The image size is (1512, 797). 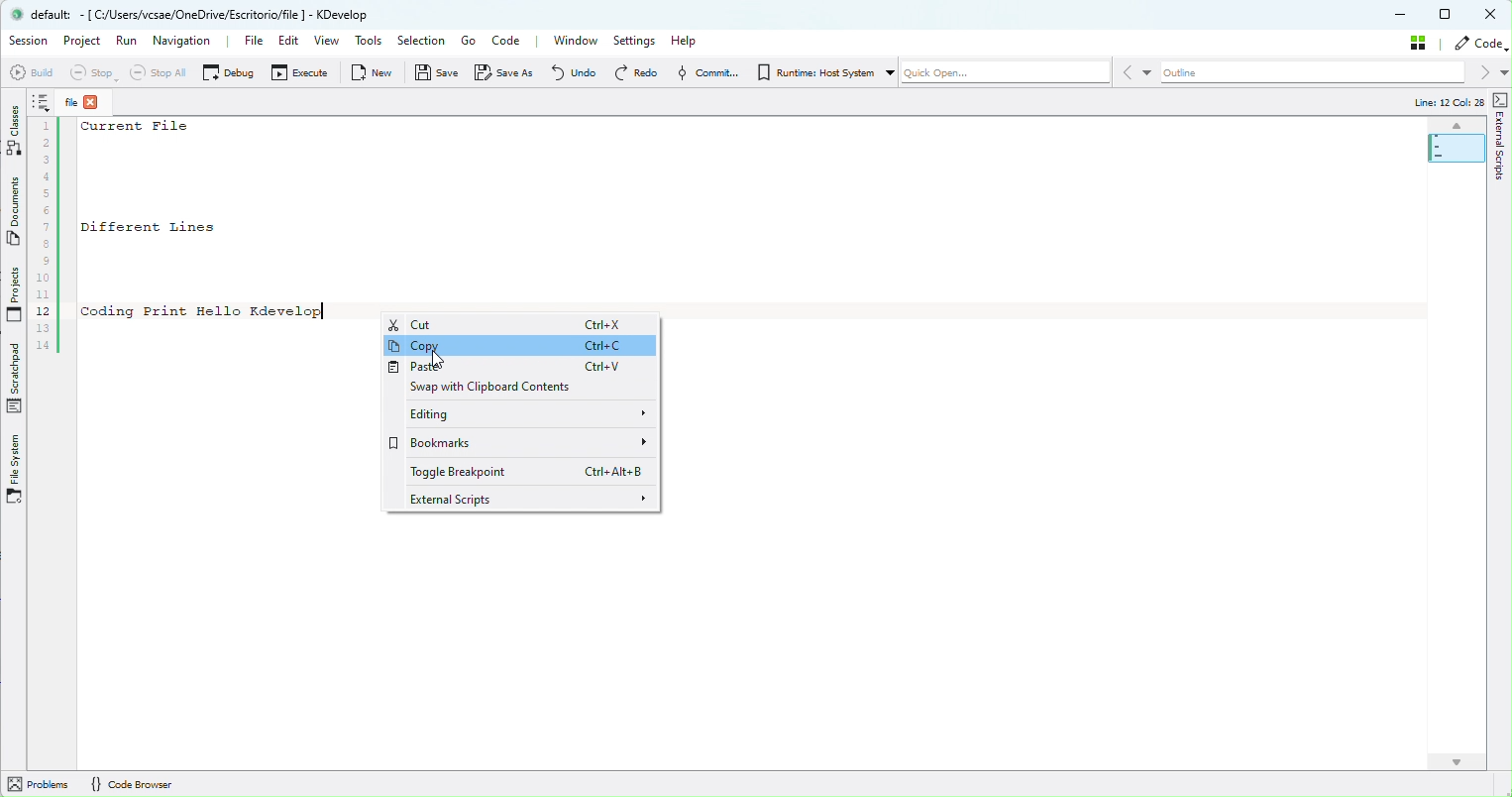 I want to click on Window, so click(x=578, y=45).